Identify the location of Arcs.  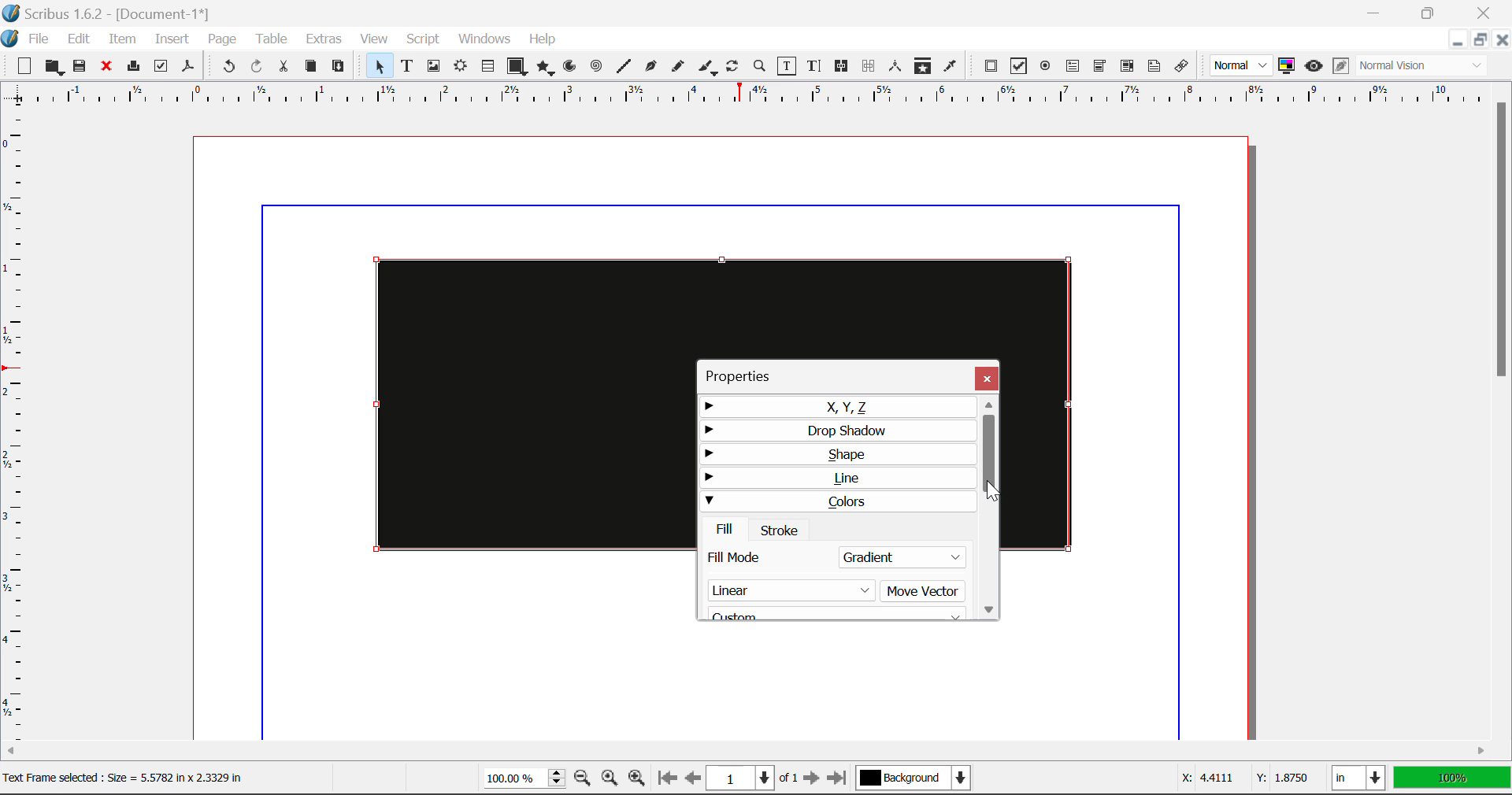
(572, 70).